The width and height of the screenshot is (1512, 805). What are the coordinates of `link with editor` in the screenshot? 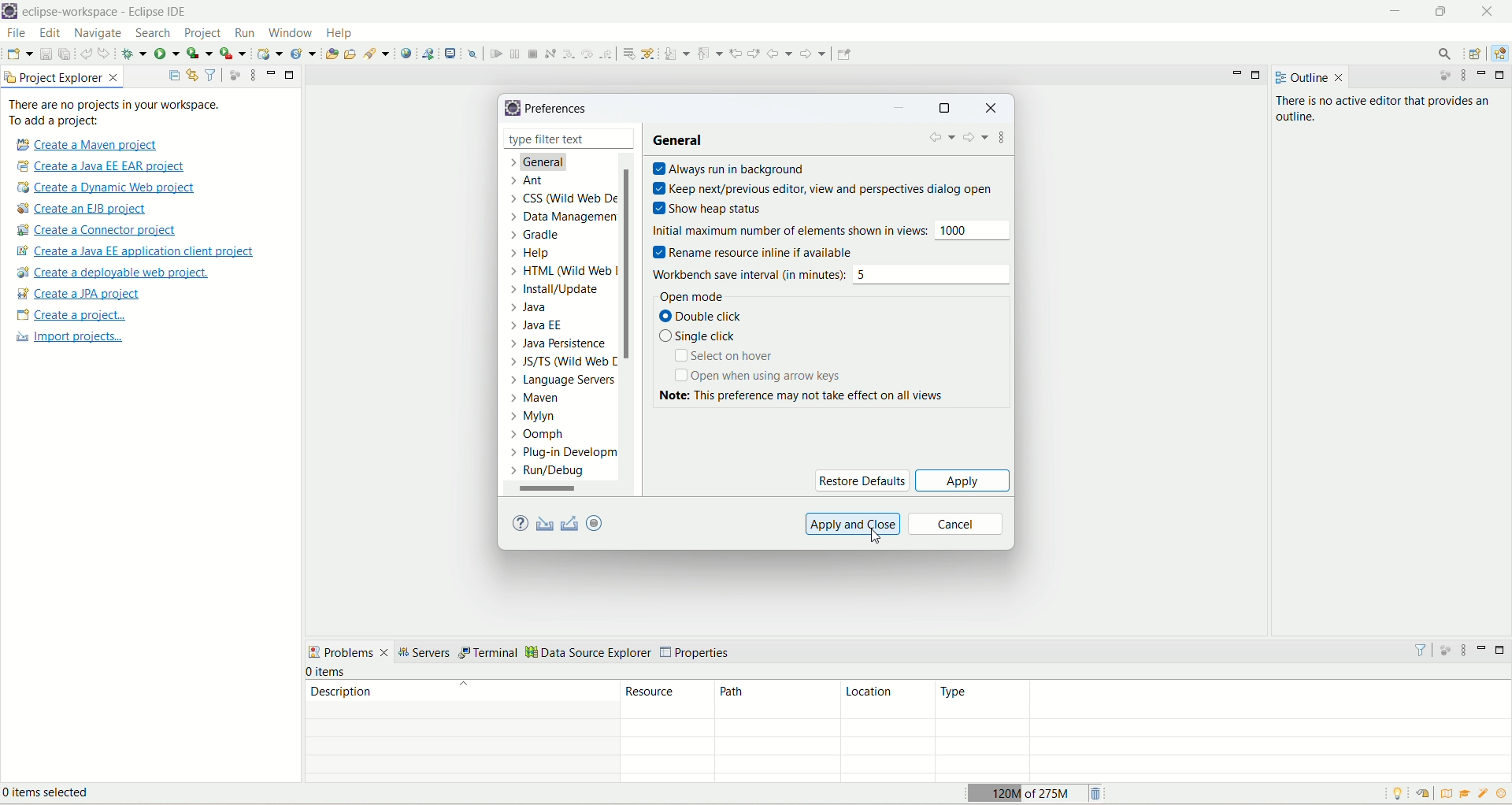 It's located at (193, 75).